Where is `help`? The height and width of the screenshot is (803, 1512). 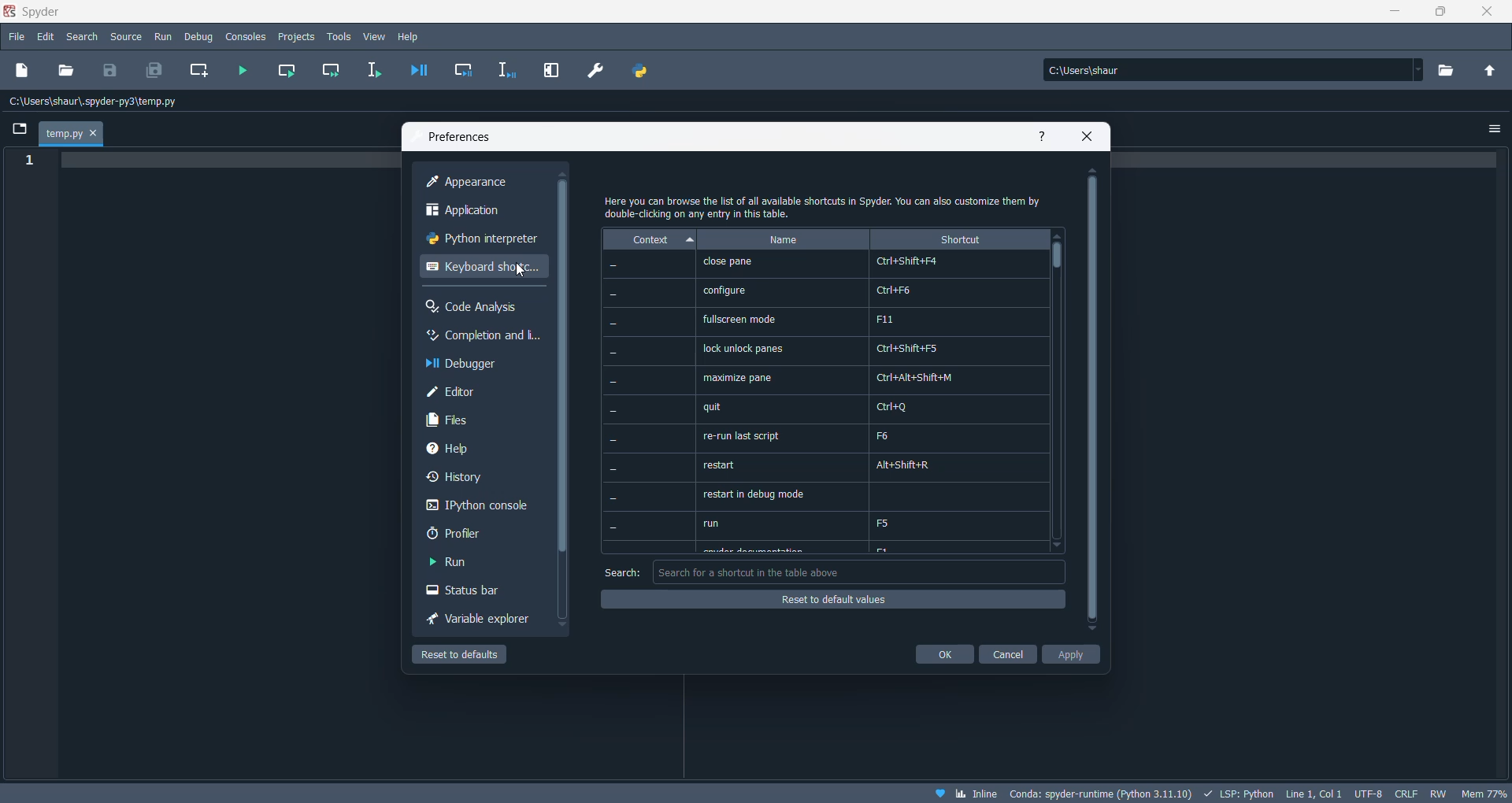
help is located at coordinates (1041, 135).